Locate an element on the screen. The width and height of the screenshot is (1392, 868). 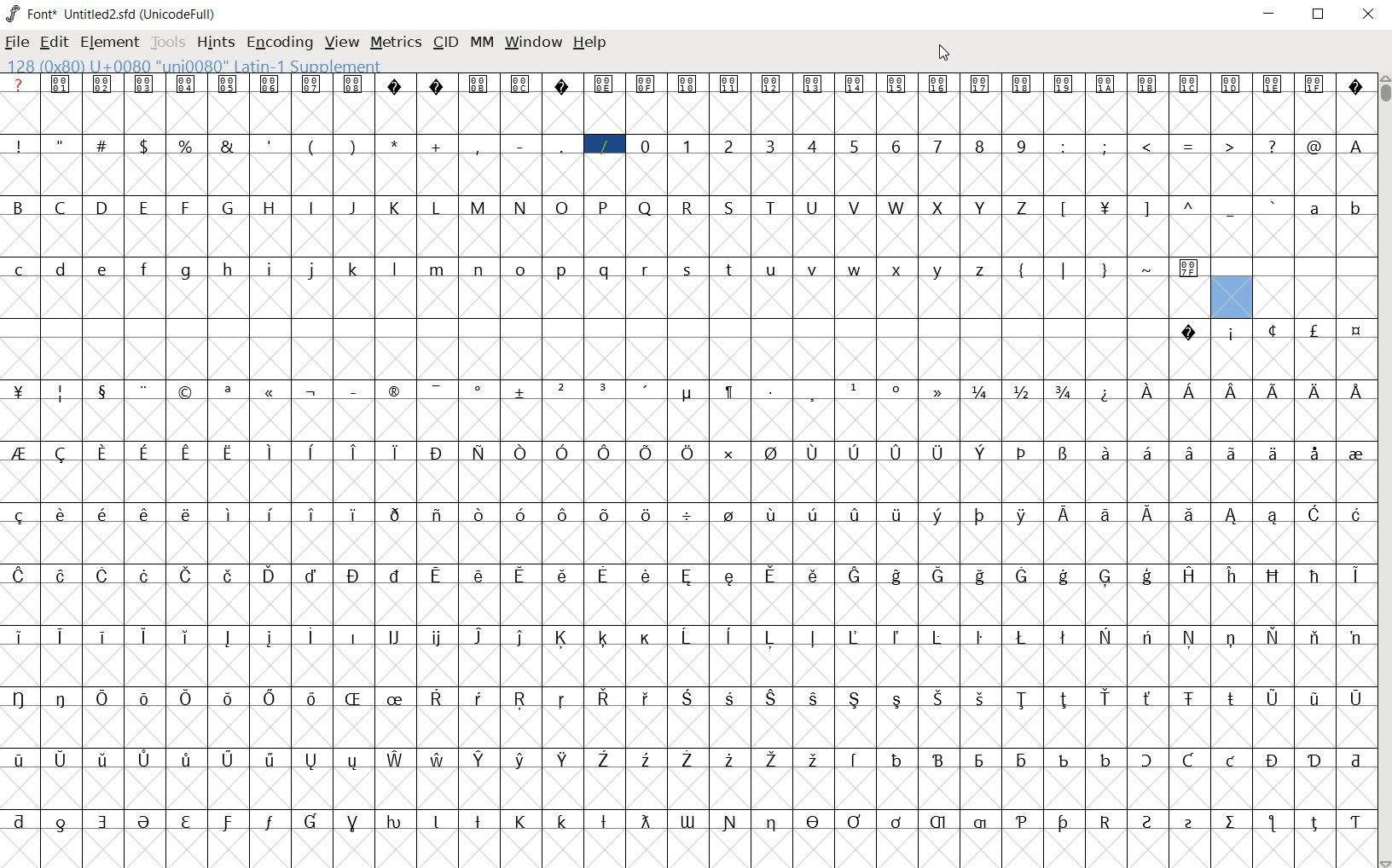
glyph is located at coordinates (855, 387).